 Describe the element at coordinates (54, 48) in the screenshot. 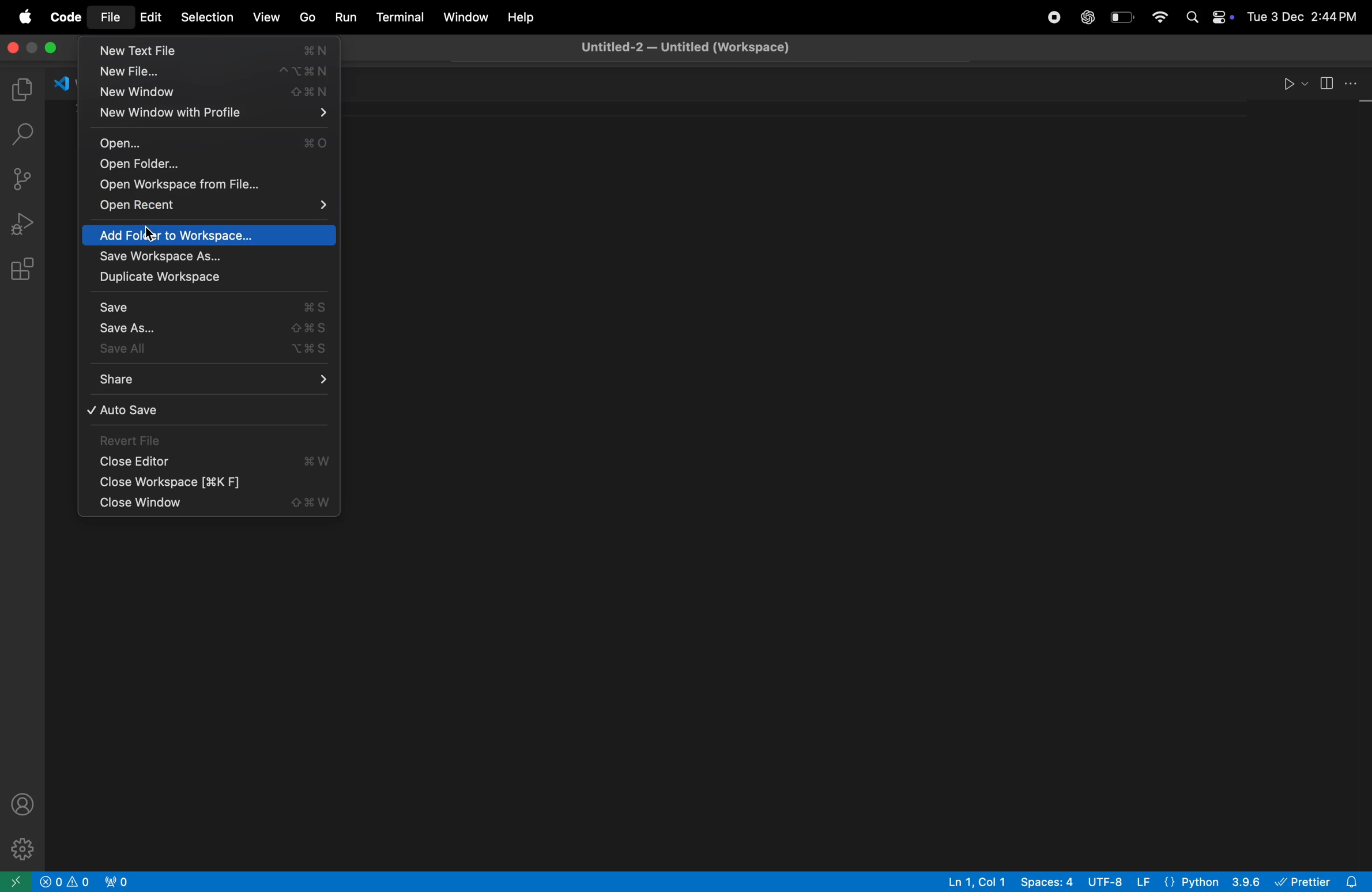

I see `maximize` at that location.